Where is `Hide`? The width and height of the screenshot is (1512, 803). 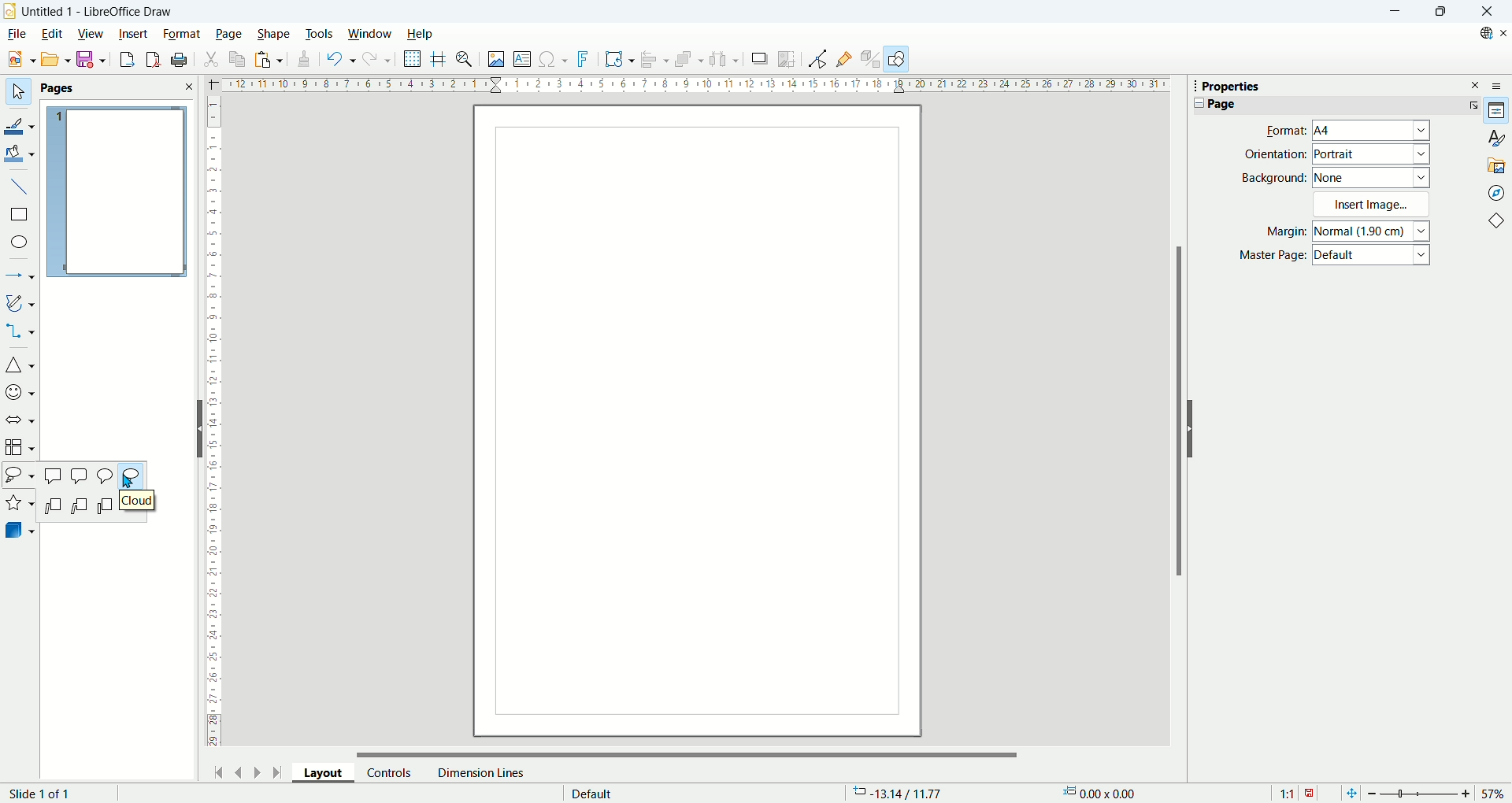
Hide is located at coordinates (1194, 428).